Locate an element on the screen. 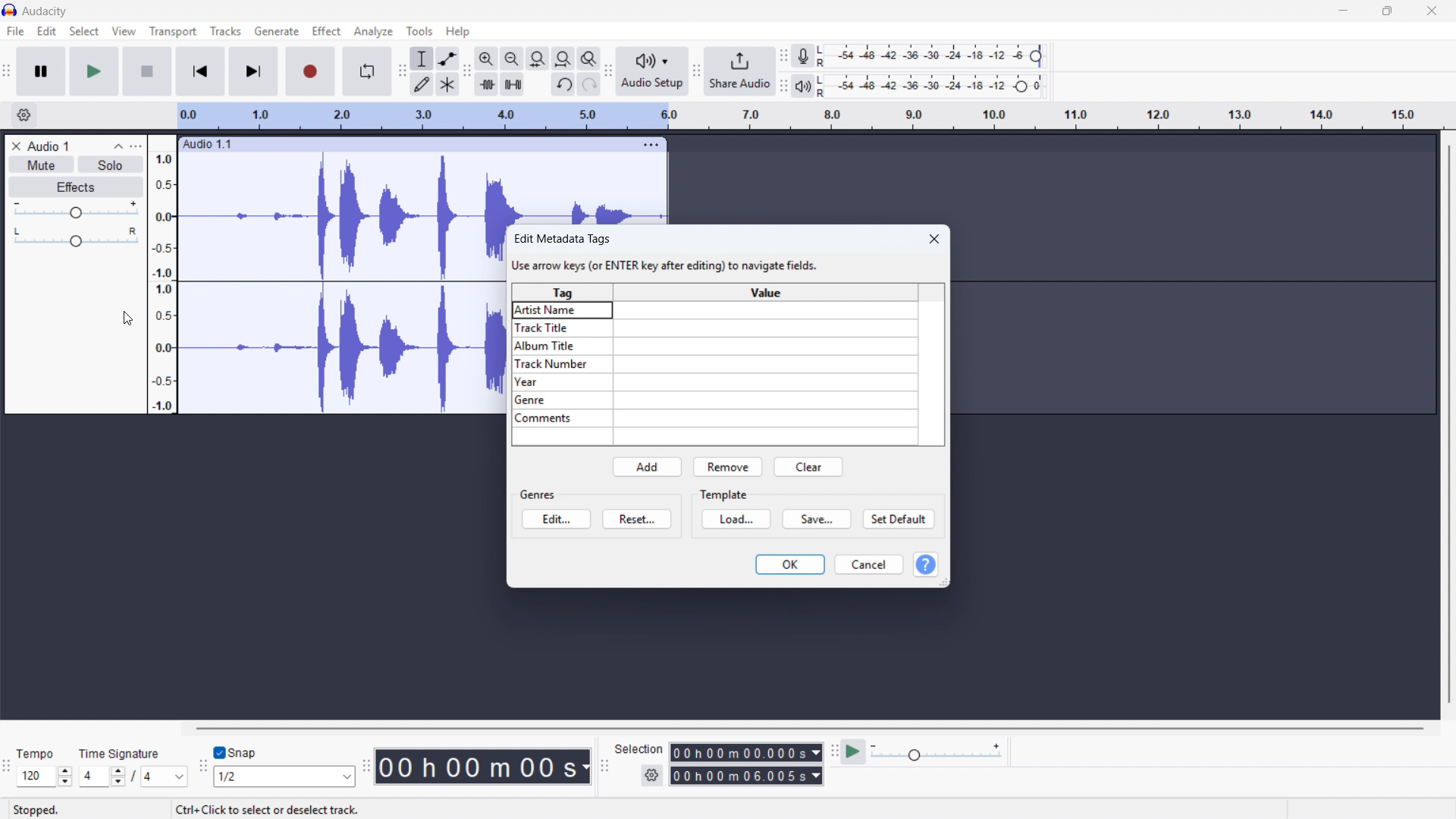  track options is located at coordinates (651, 145).